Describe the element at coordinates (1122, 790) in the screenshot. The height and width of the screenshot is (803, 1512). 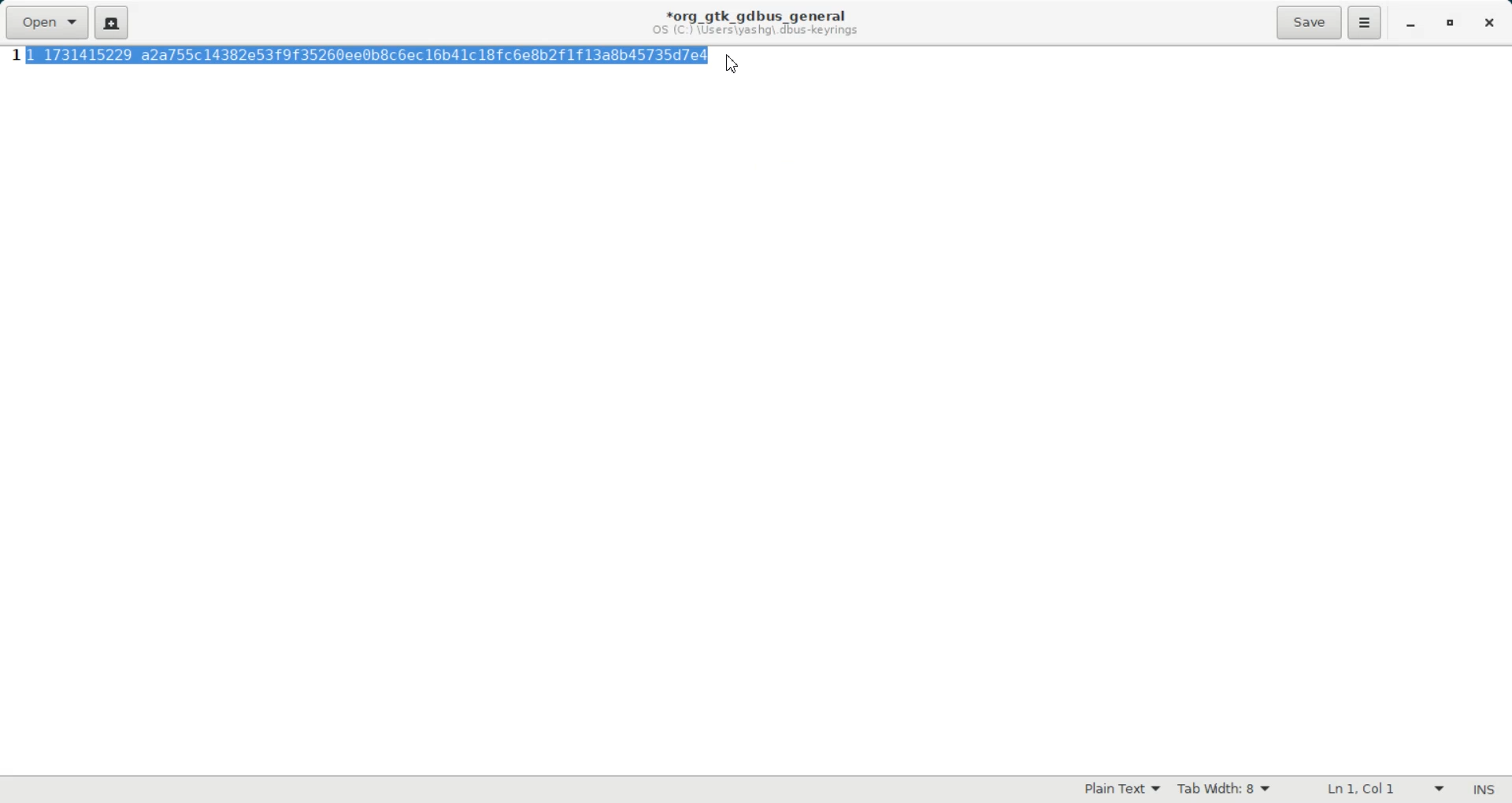
I see `Plain Text` at that location.